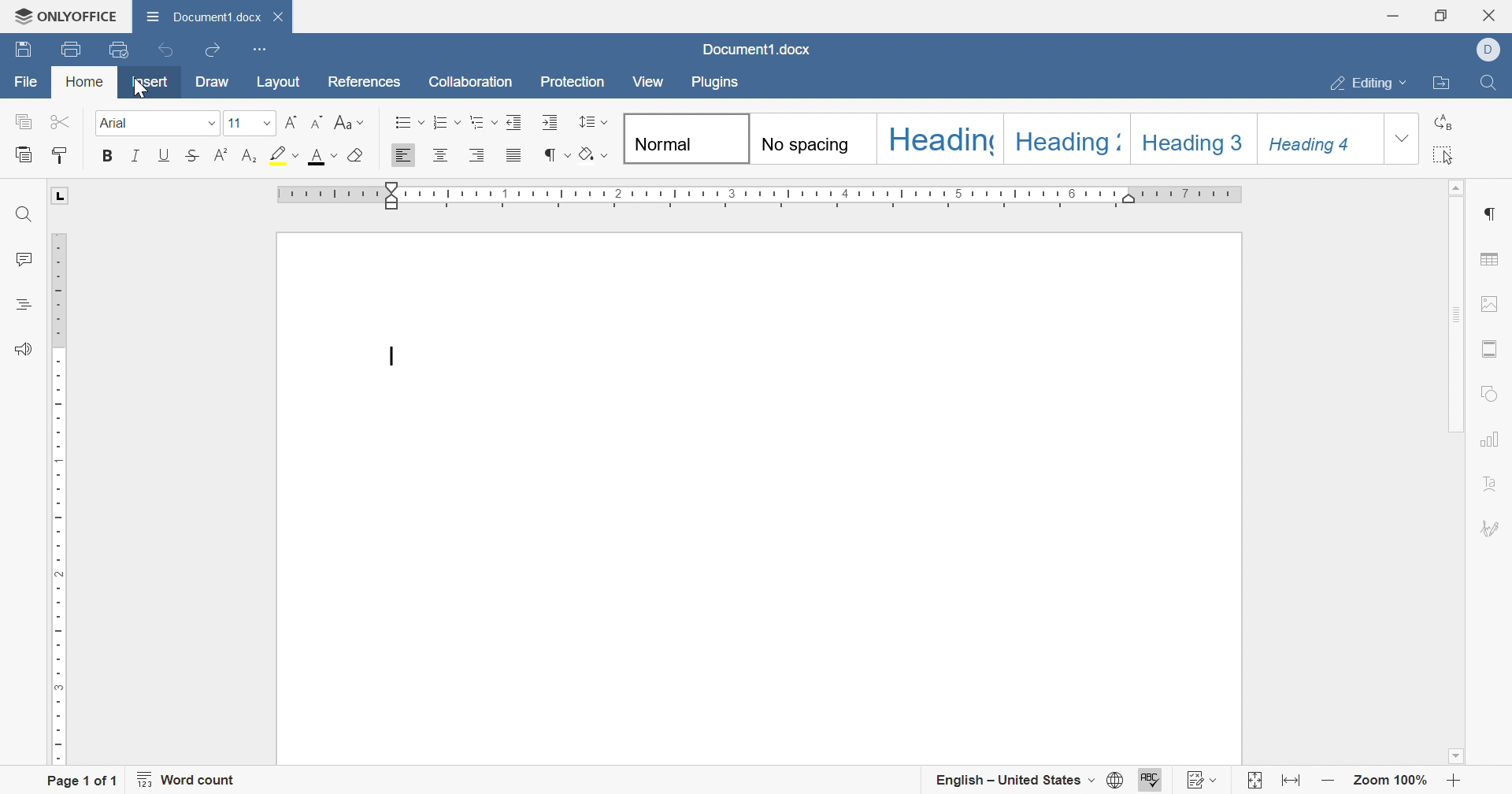 The image size is (1512, 794). Describe the element at coordinates (595, 121) in the screenshot. I see `Paragraph line spacing` at that location.